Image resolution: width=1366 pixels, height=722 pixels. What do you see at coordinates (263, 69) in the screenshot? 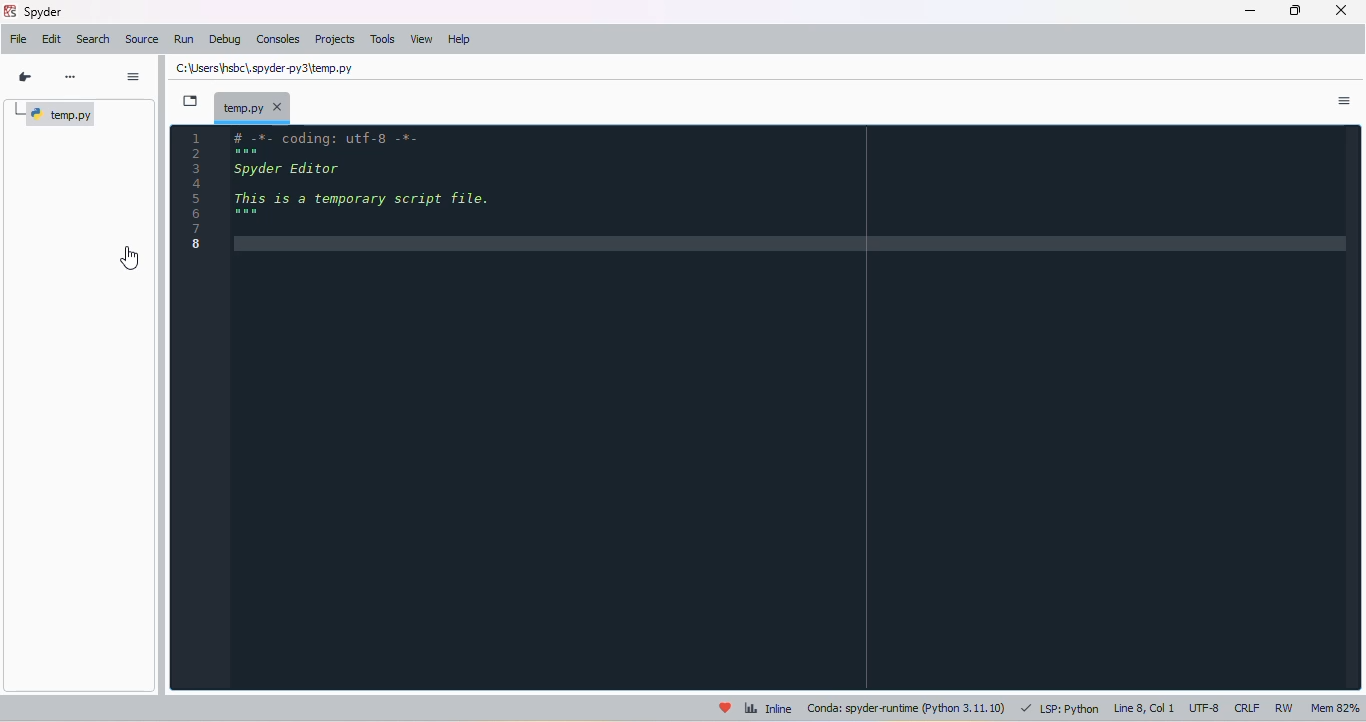
I see `temporary file` at bounding box center [263, 69].